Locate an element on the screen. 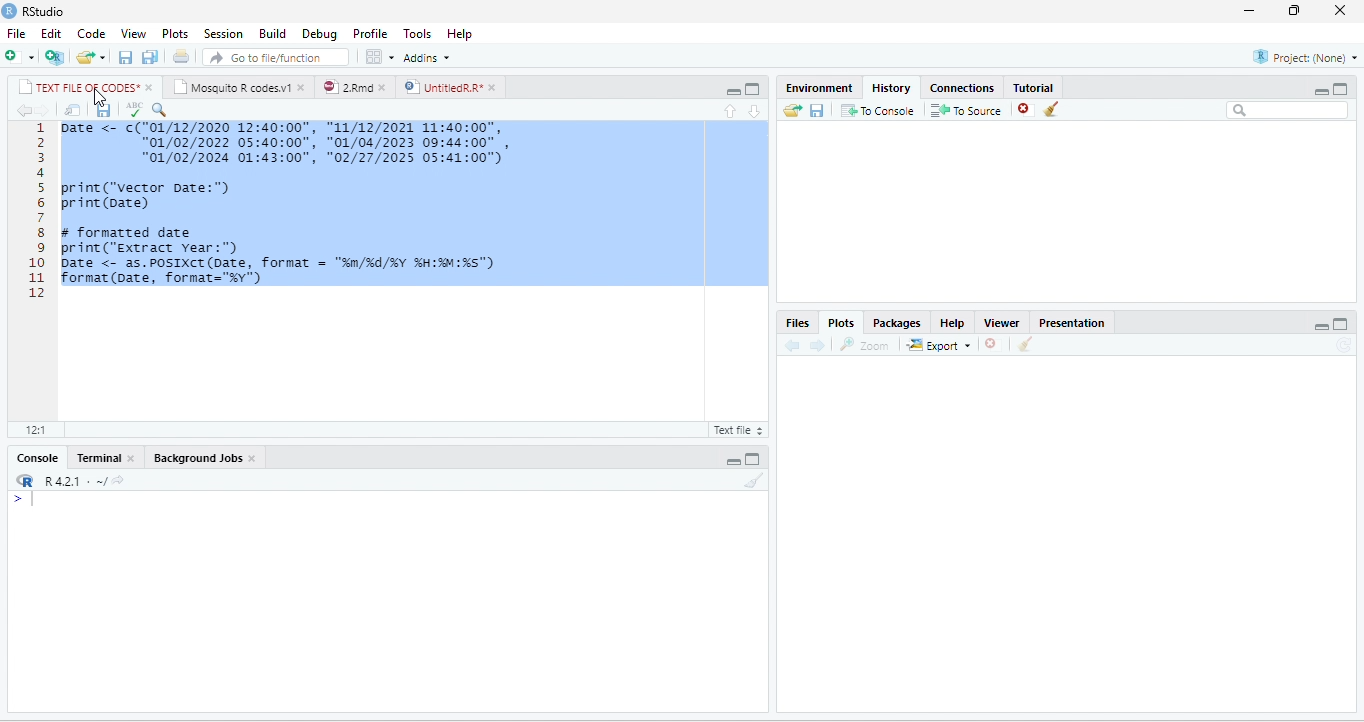  clear is located at coordinates (1025, 343).